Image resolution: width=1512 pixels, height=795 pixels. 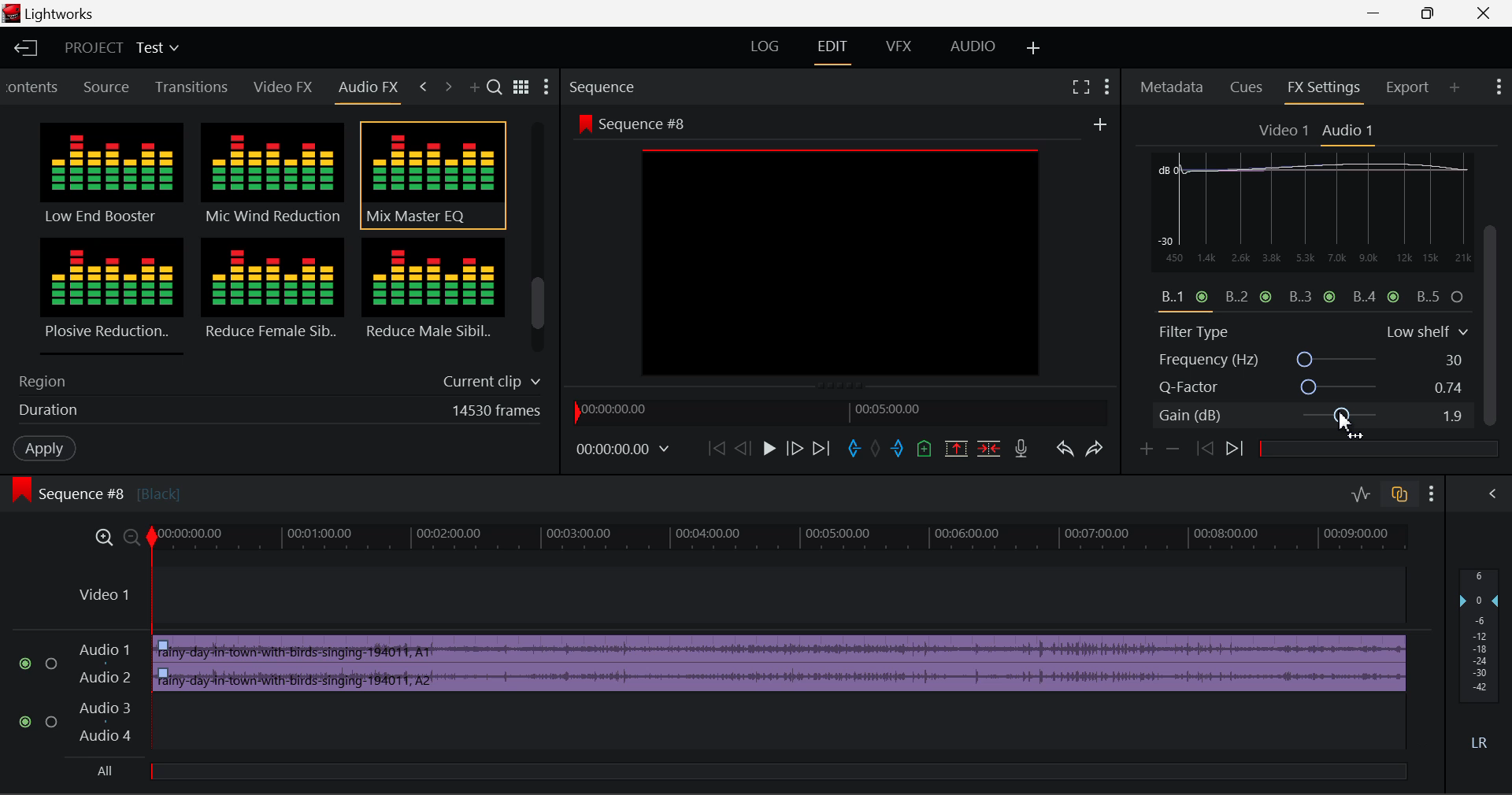 I want to click on Show Settings, so click(x=1107, y=87).